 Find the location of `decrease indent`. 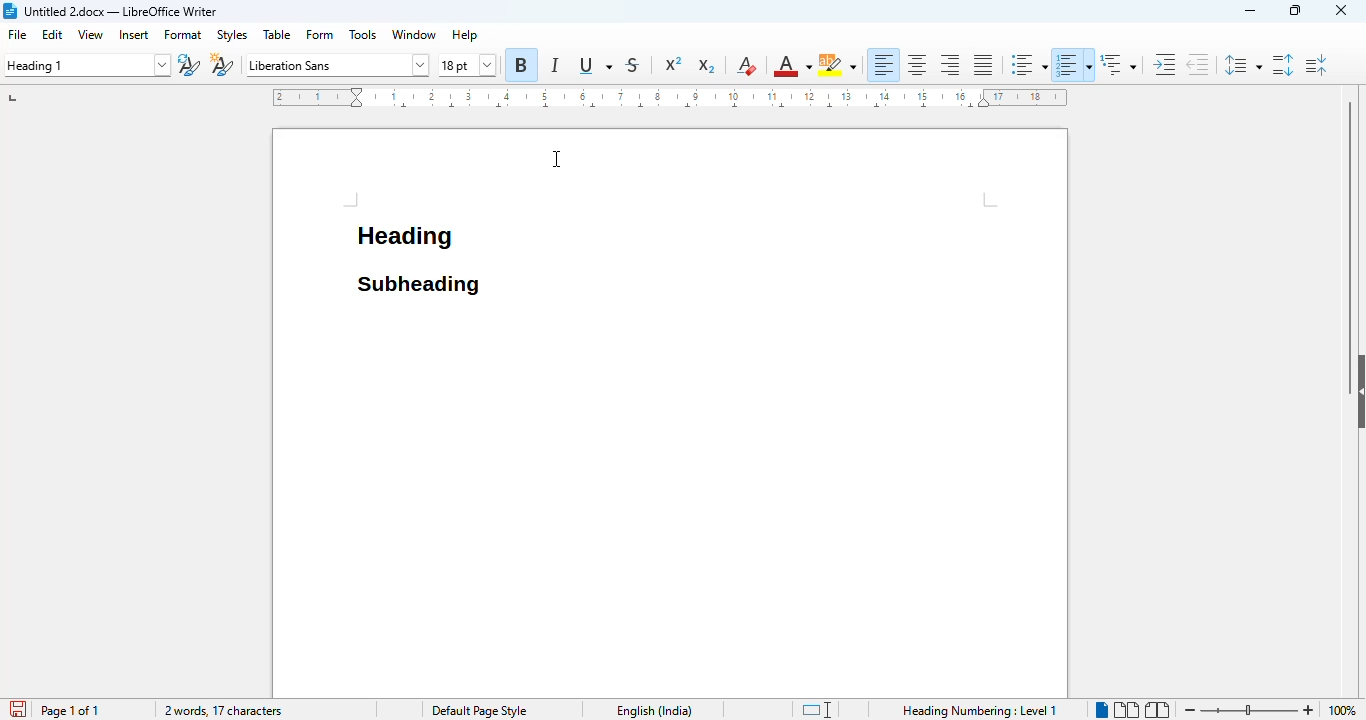

decrease indent is located at coordinates (1197, 64).